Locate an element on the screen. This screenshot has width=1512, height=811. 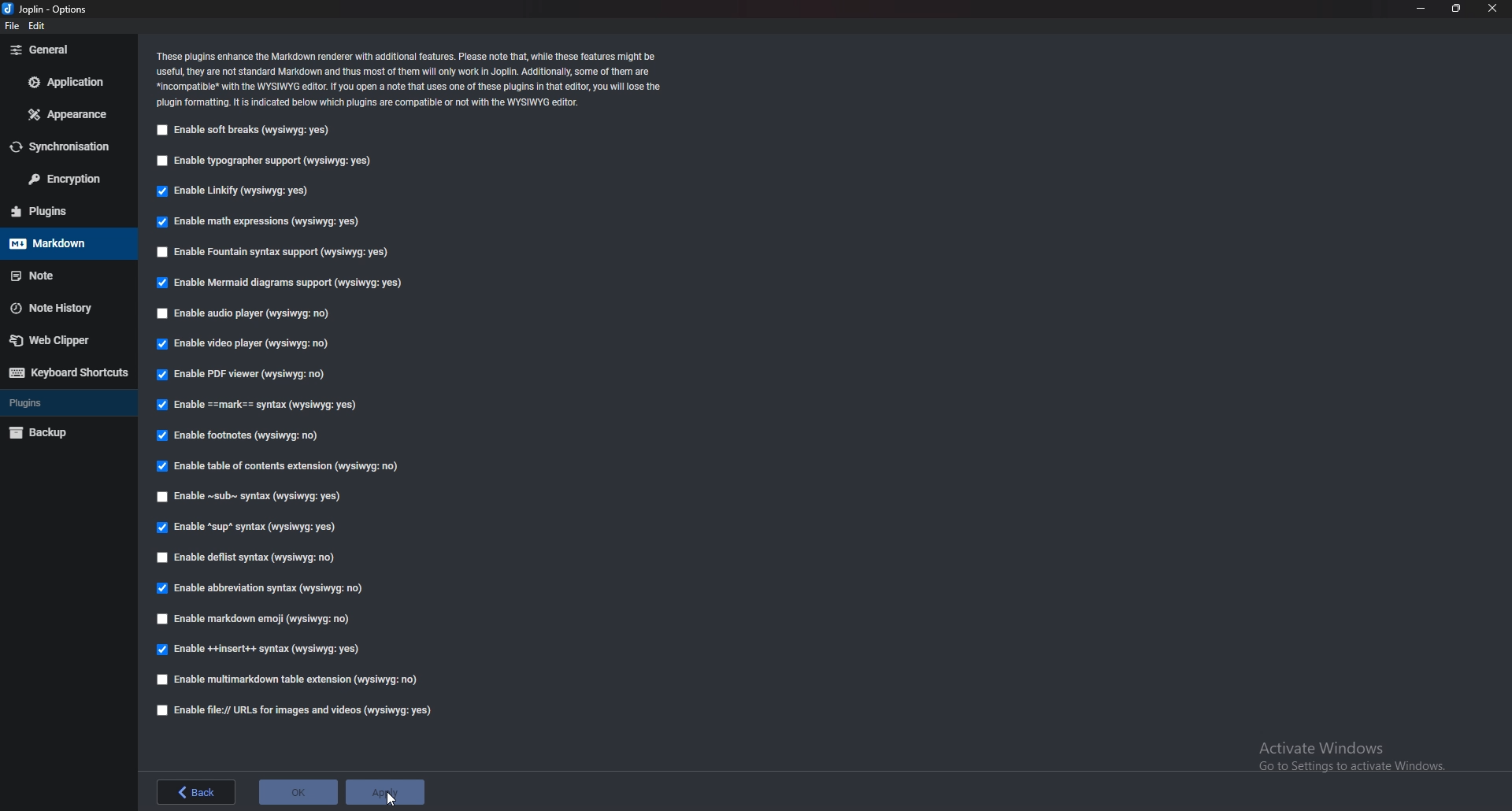
Enable video player is located at coordinates (246, 345).